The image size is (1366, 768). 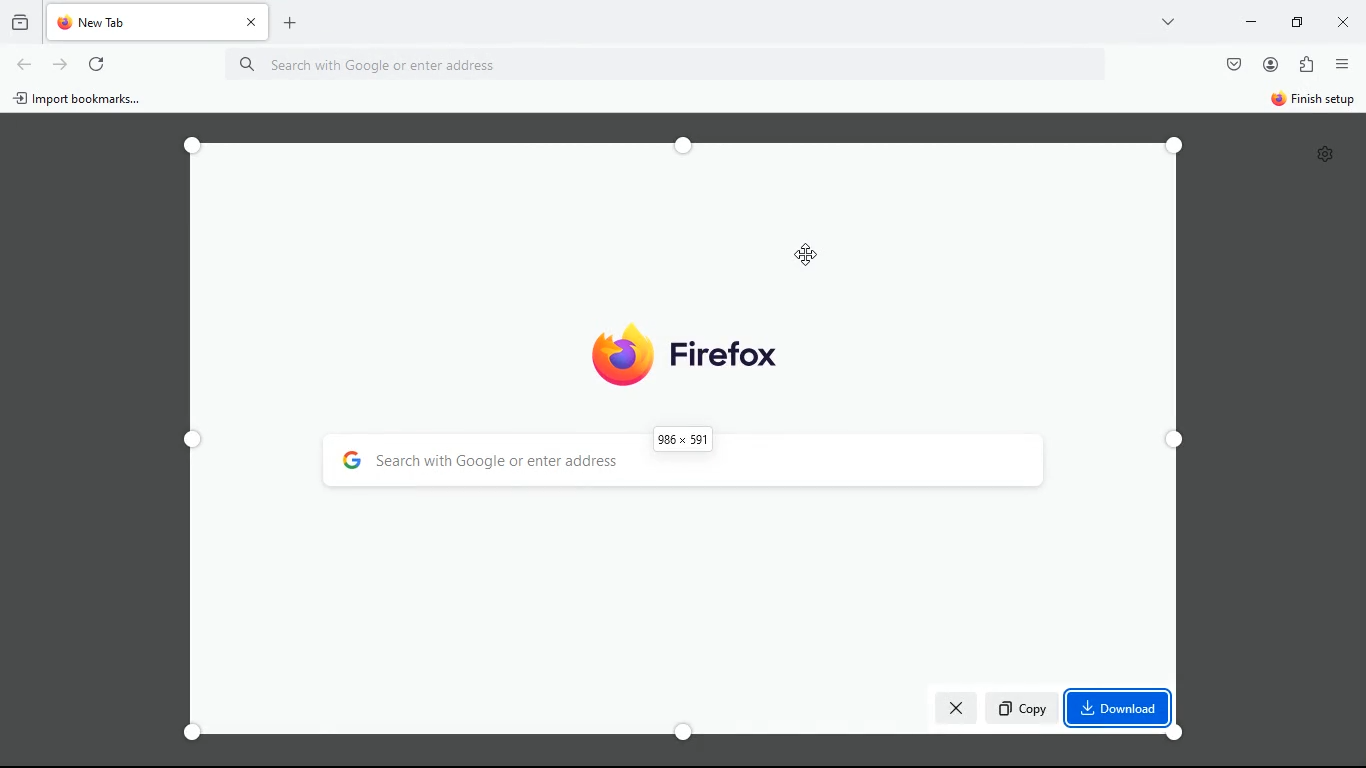 I want to click on Cursor, so click(x=808, y=255).